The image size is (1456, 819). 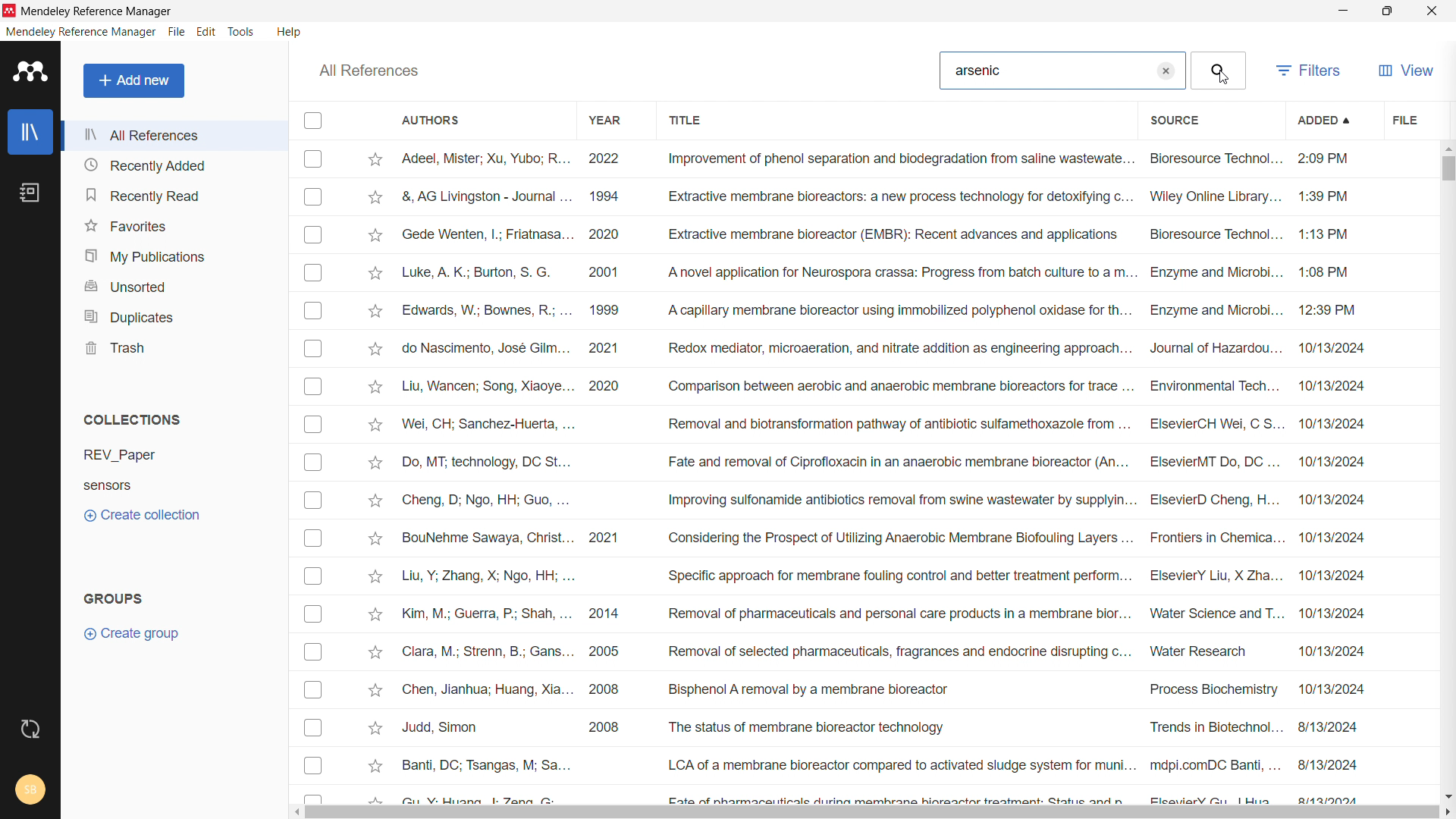 I want to click on Checkbox, so click(x=314, y=730).